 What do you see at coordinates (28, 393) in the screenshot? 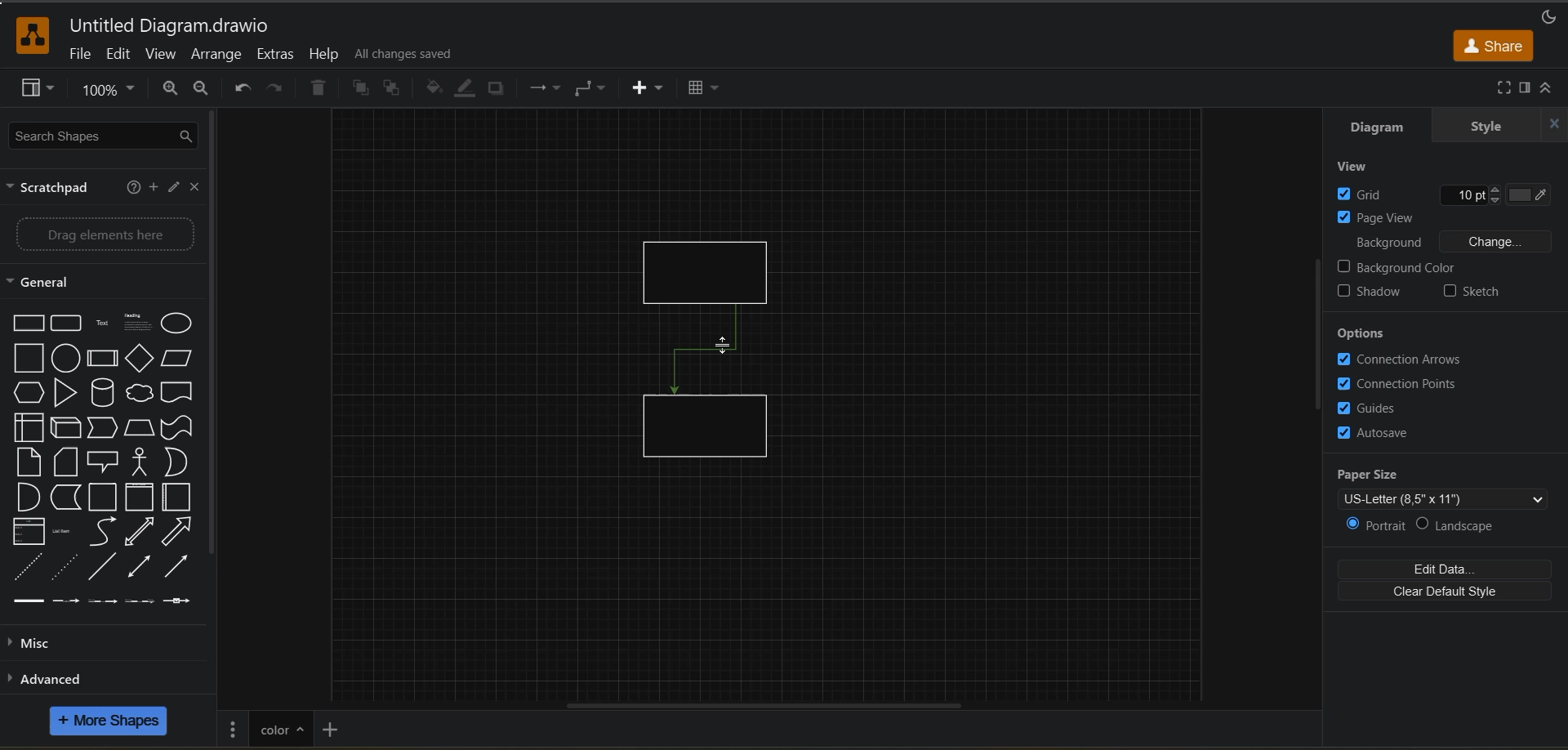
I see `Hexagon` at bounding box center [28, 393].